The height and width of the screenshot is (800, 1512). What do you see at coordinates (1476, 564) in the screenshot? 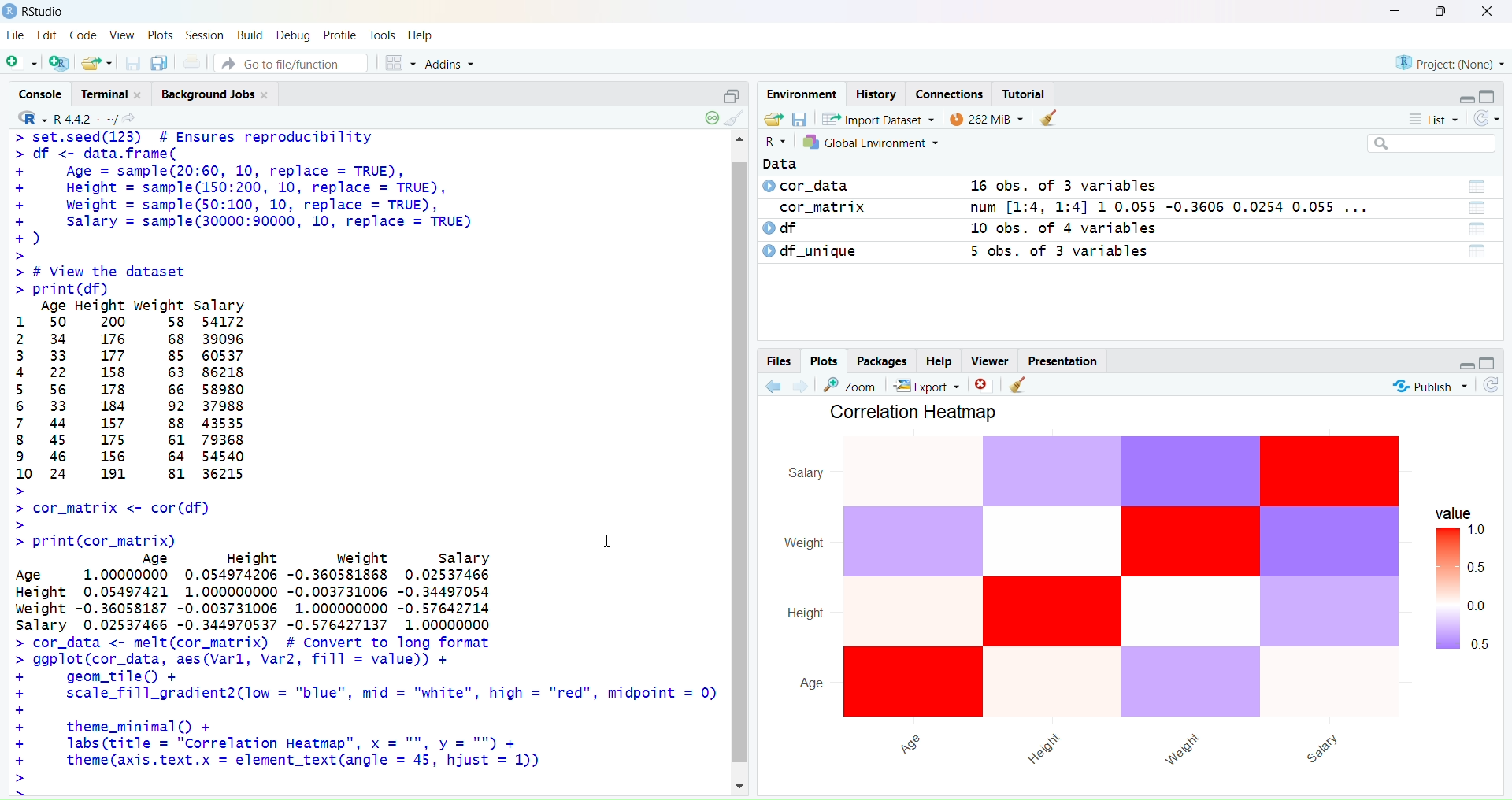
I see `0.5` at bounding box center [1476, 564].